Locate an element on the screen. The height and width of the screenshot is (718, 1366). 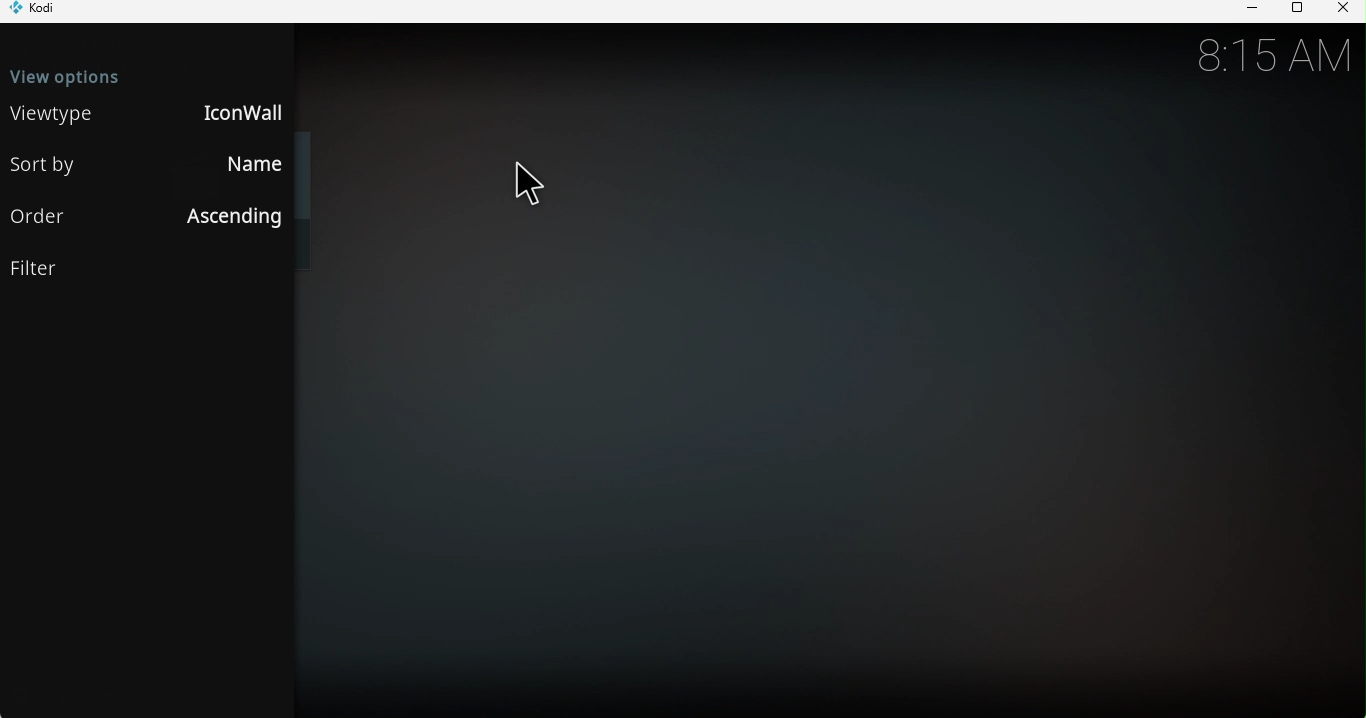
Name is located at coordinates (243, 166).